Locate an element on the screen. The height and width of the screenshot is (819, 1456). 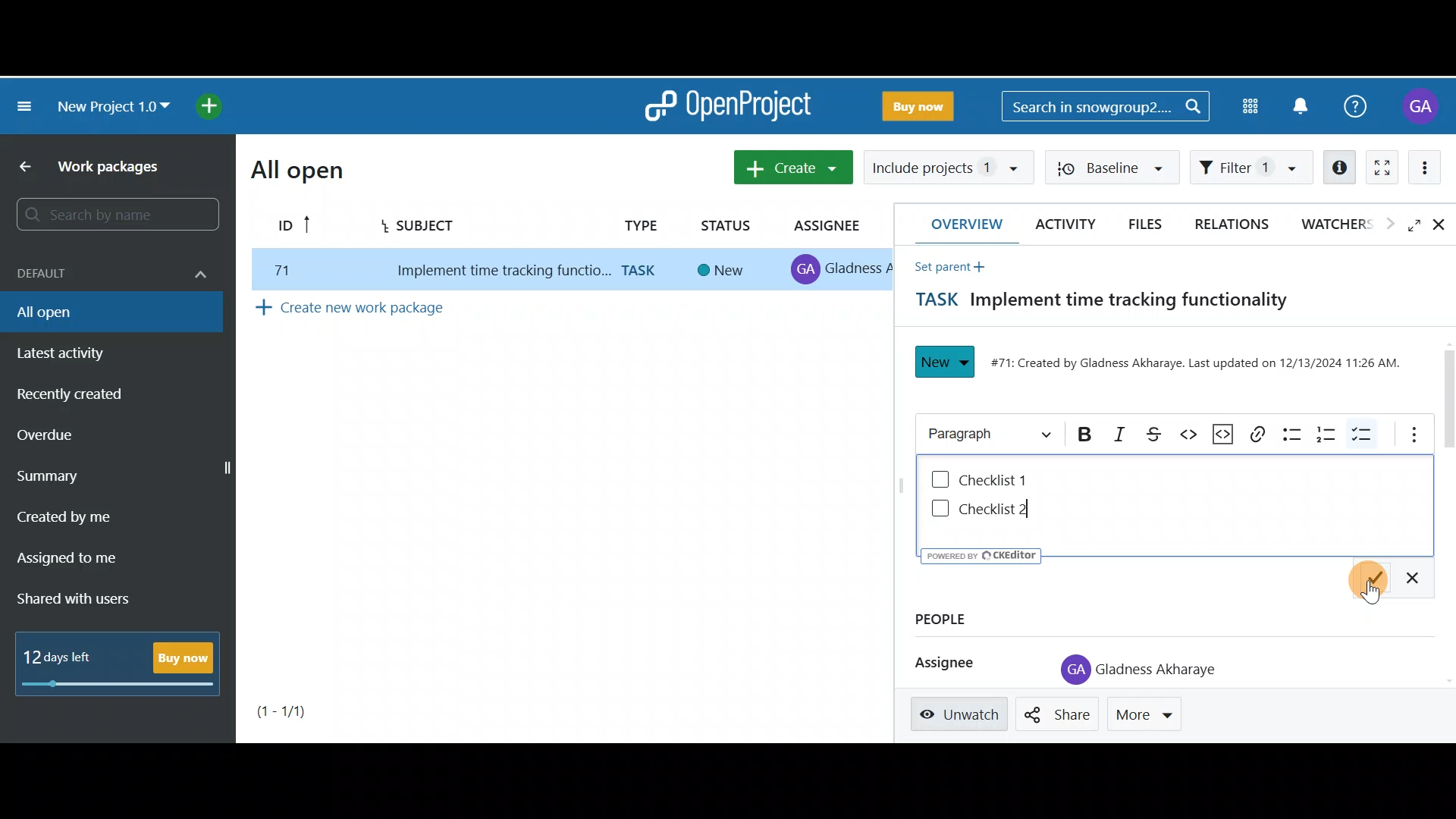
implement time tracking function.. is located at coordinates (494, 271).